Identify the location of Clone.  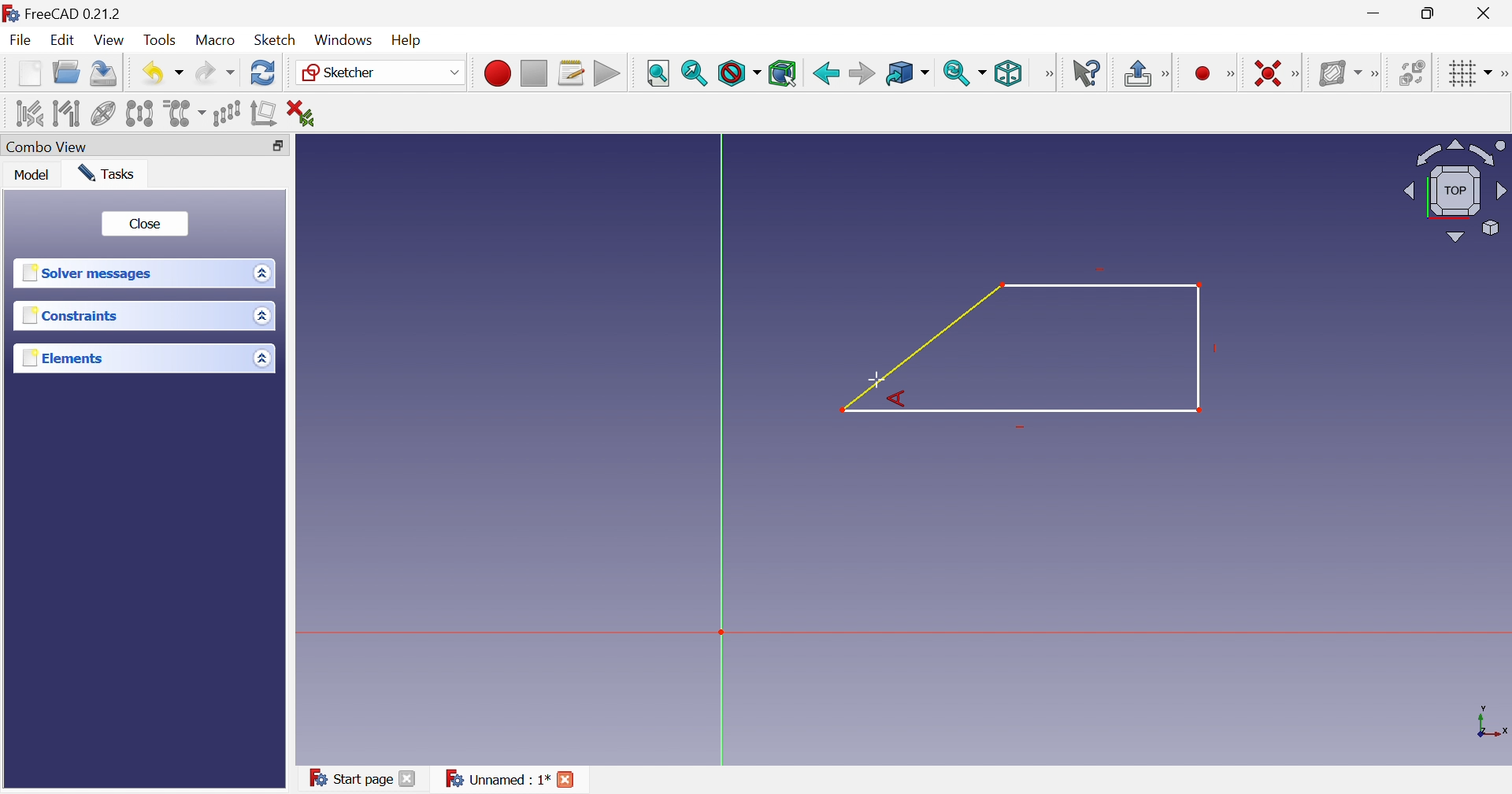
(186, 114).